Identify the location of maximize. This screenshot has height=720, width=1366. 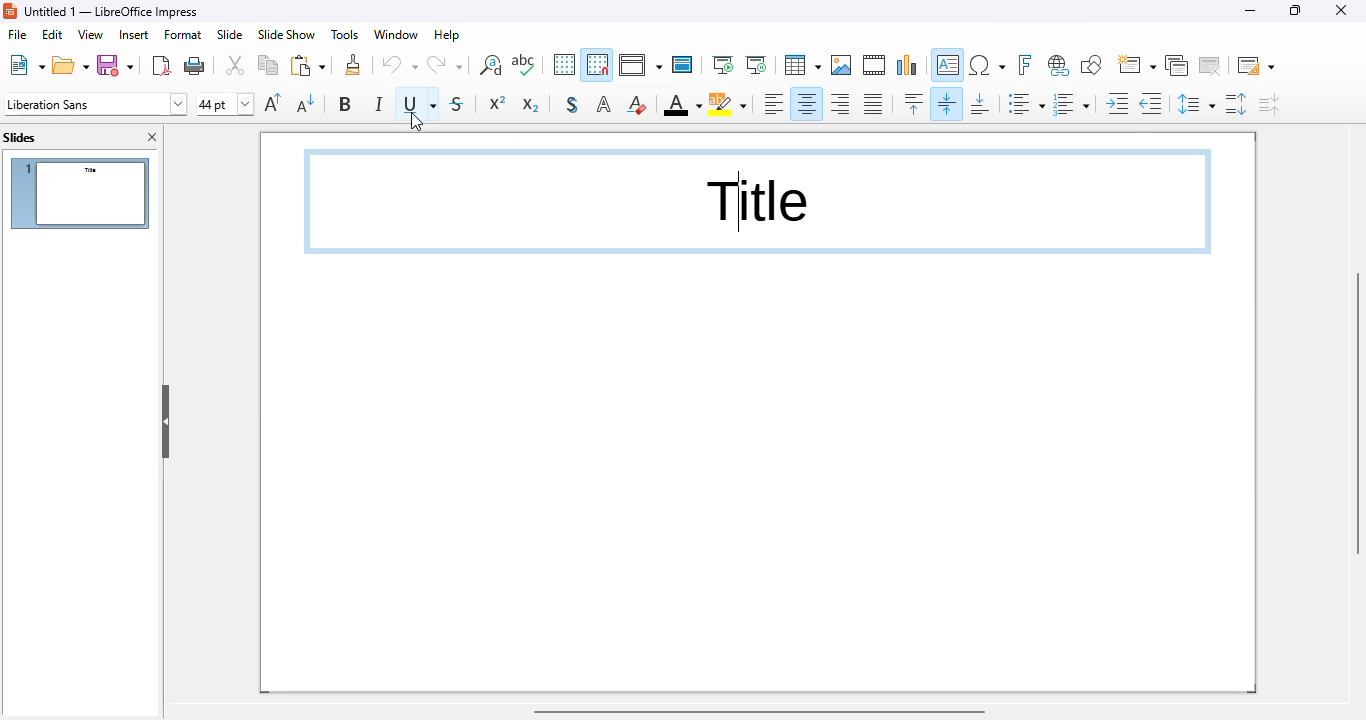
(1295, 10).